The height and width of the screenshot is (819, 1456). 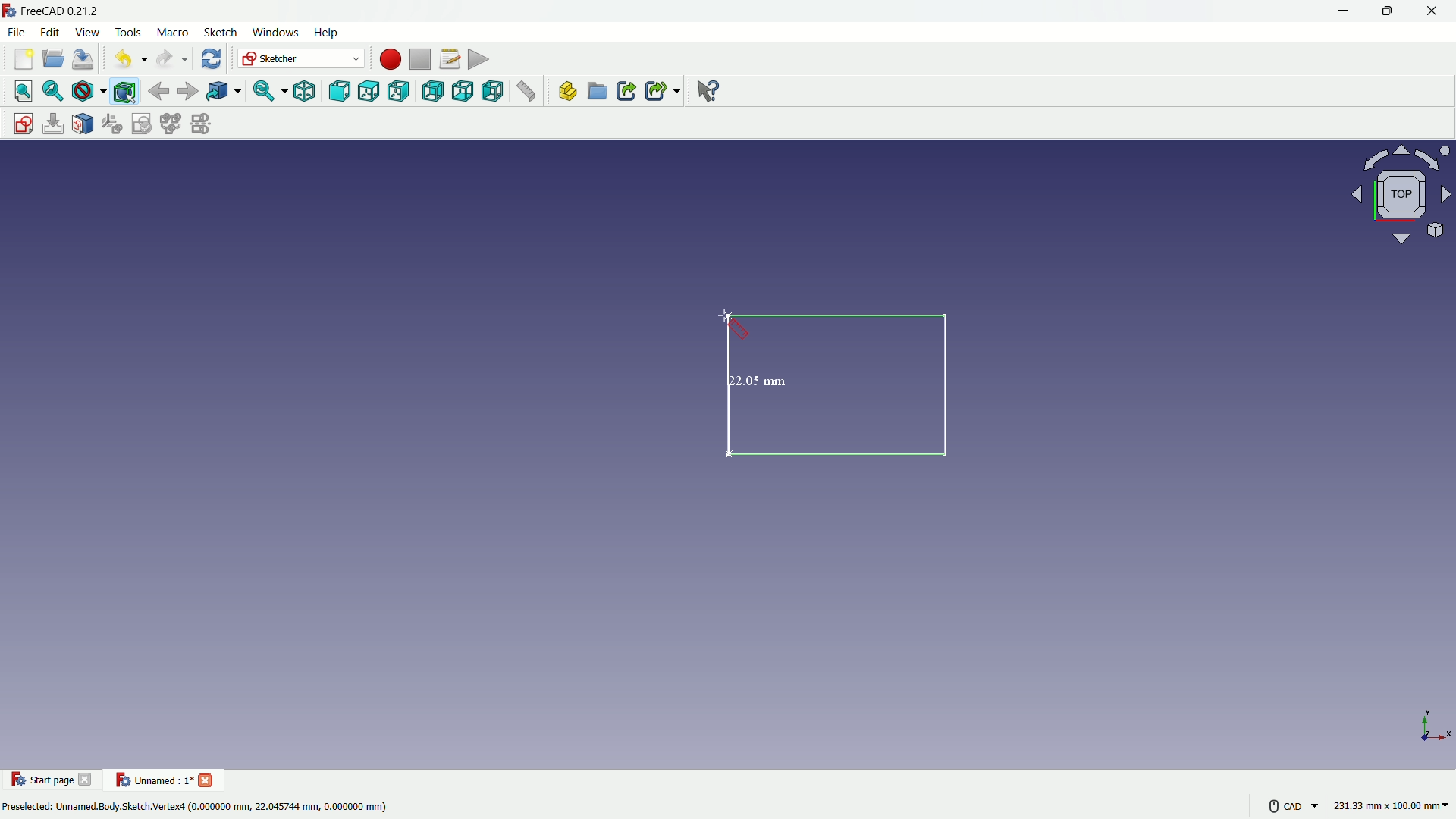 I want to click on close start page, so click(x=87, y=783).